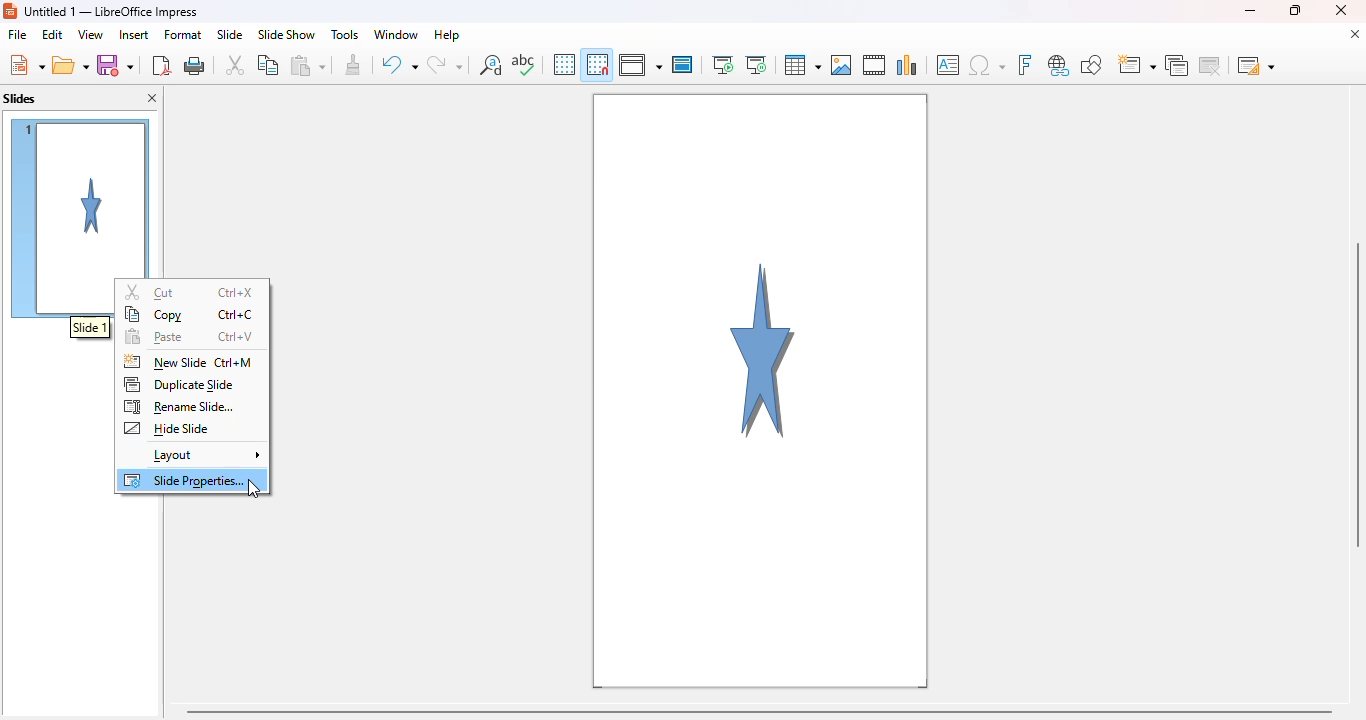 The image size is (1366, 720). What do you see at coordinates (53, 35) in the screenshot?
I see `edit` at bounding box center [53, 35].